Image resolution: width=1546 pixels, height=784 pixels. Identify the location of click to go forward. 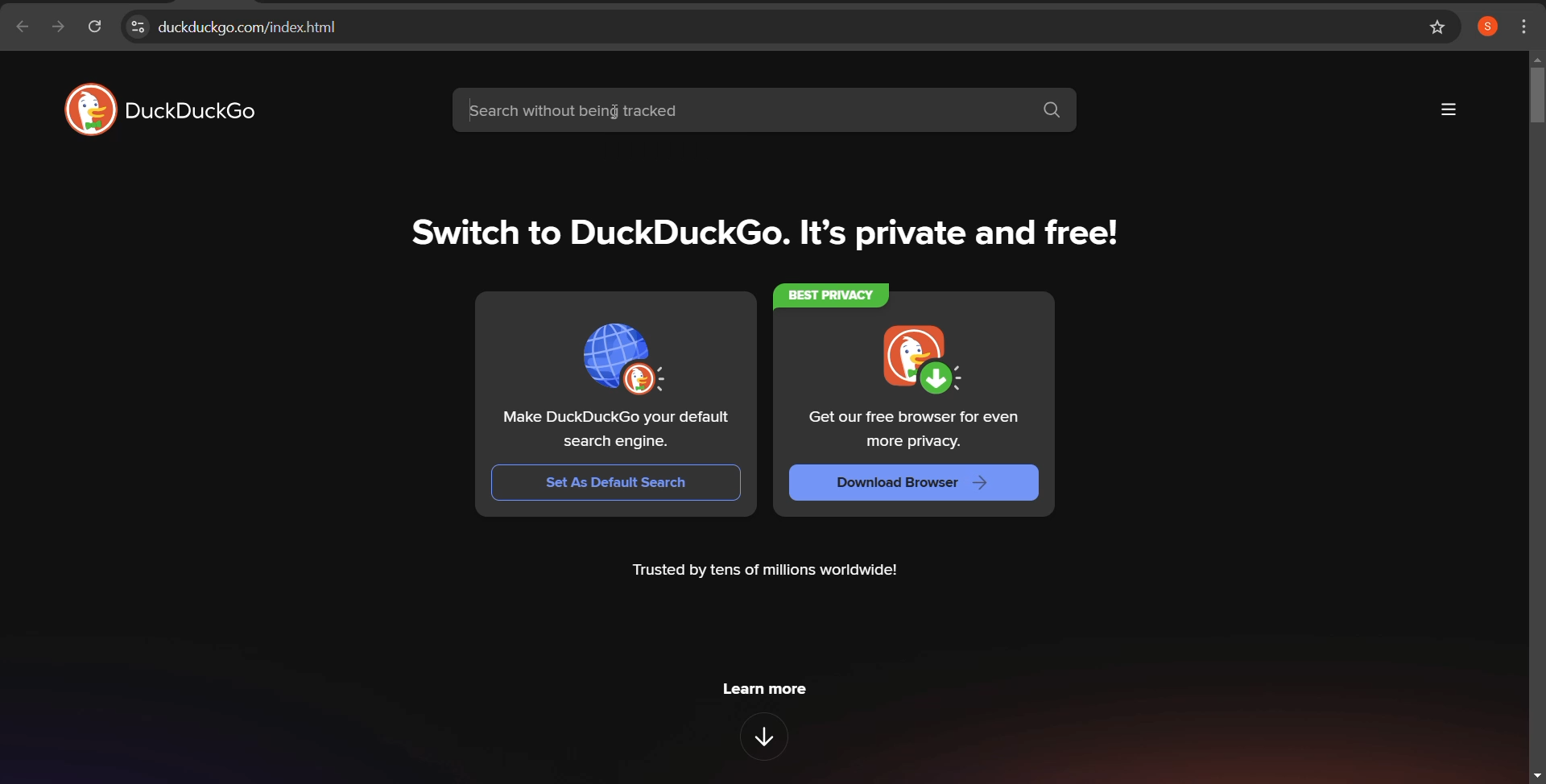
(57, 29).